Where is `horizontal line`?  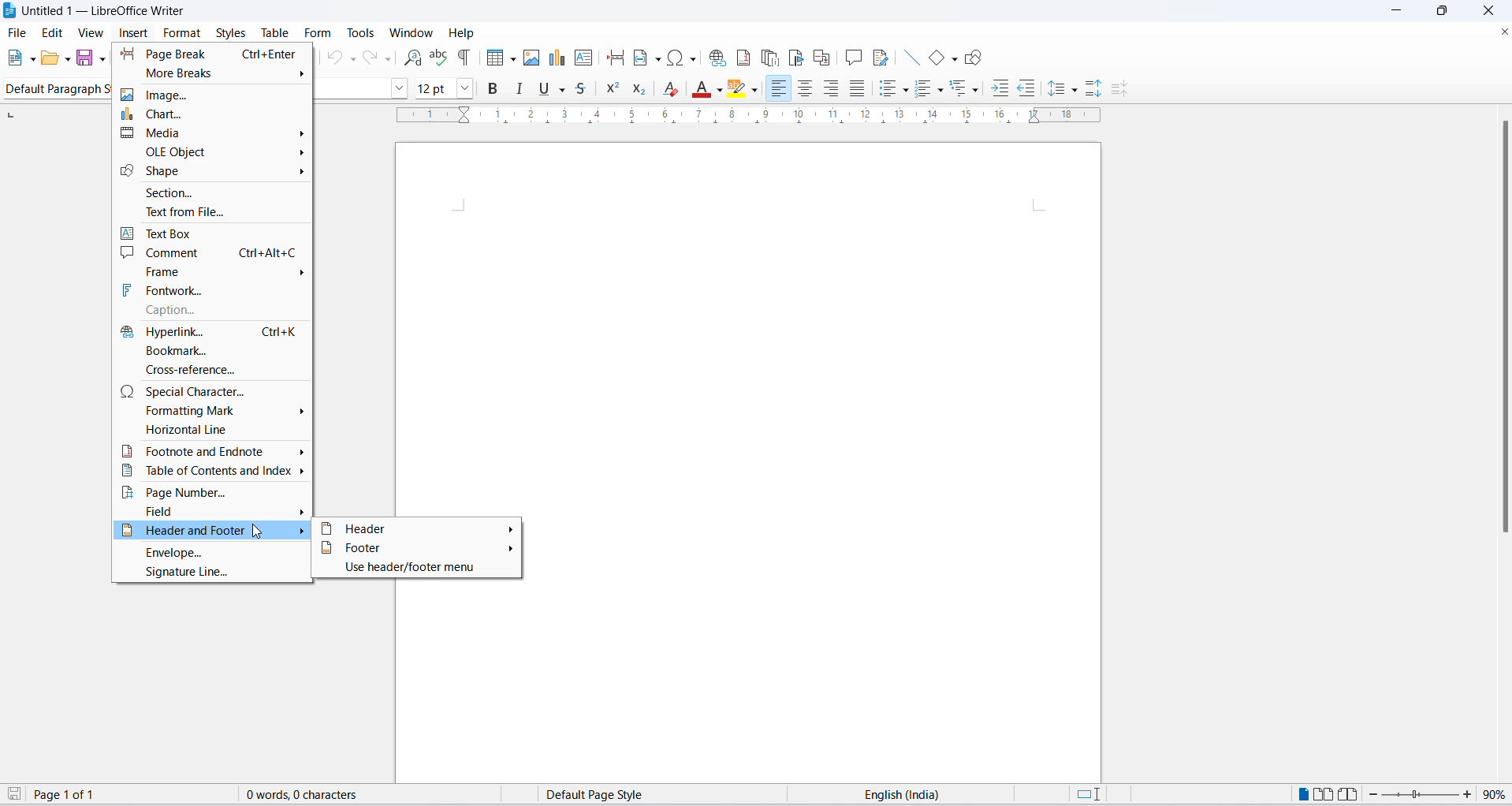
horizontal line is located at coordinates (210, 431).